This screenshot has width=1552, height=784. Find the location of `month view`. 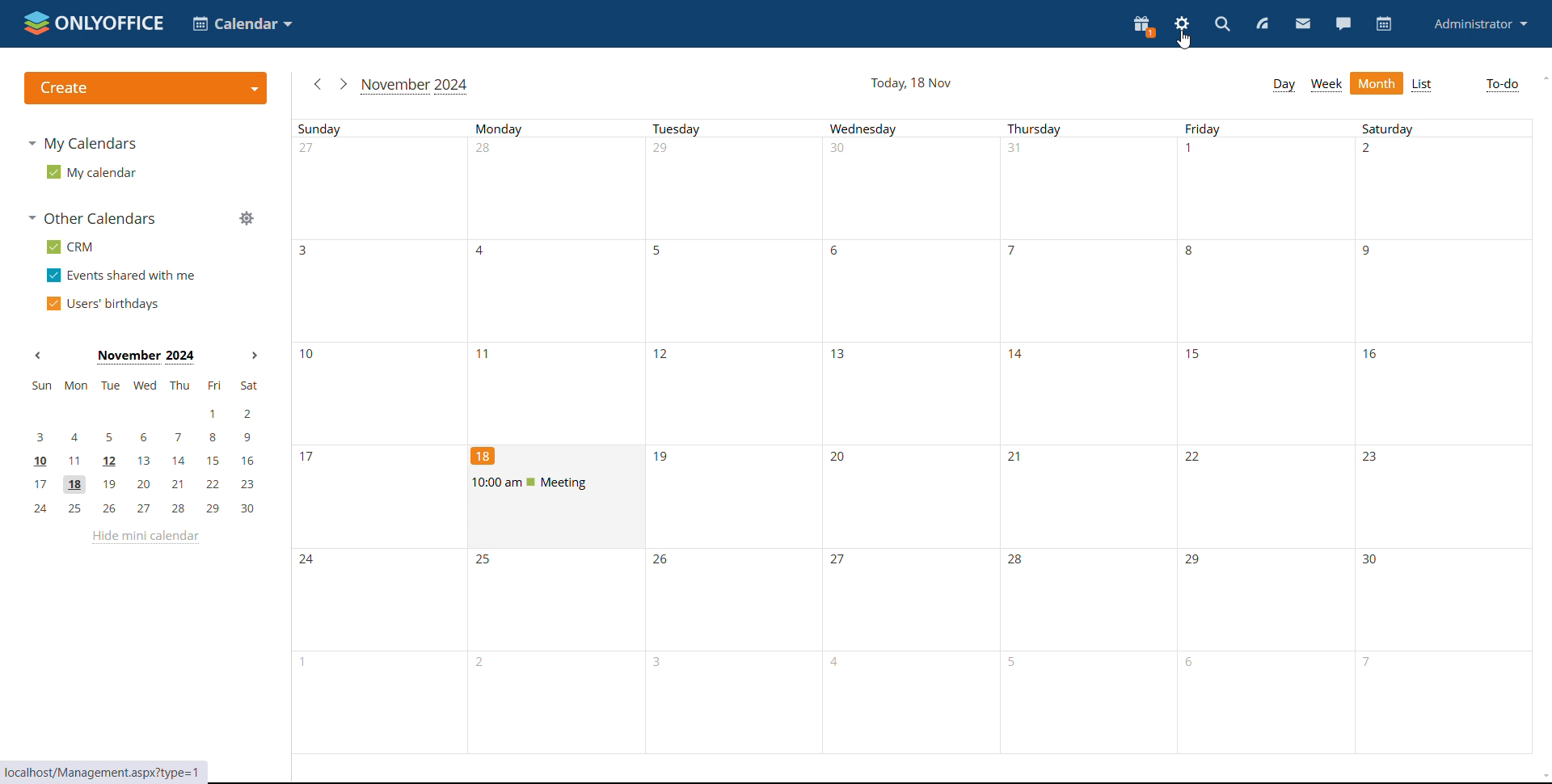

month view is located at coordinates (1377, 83).